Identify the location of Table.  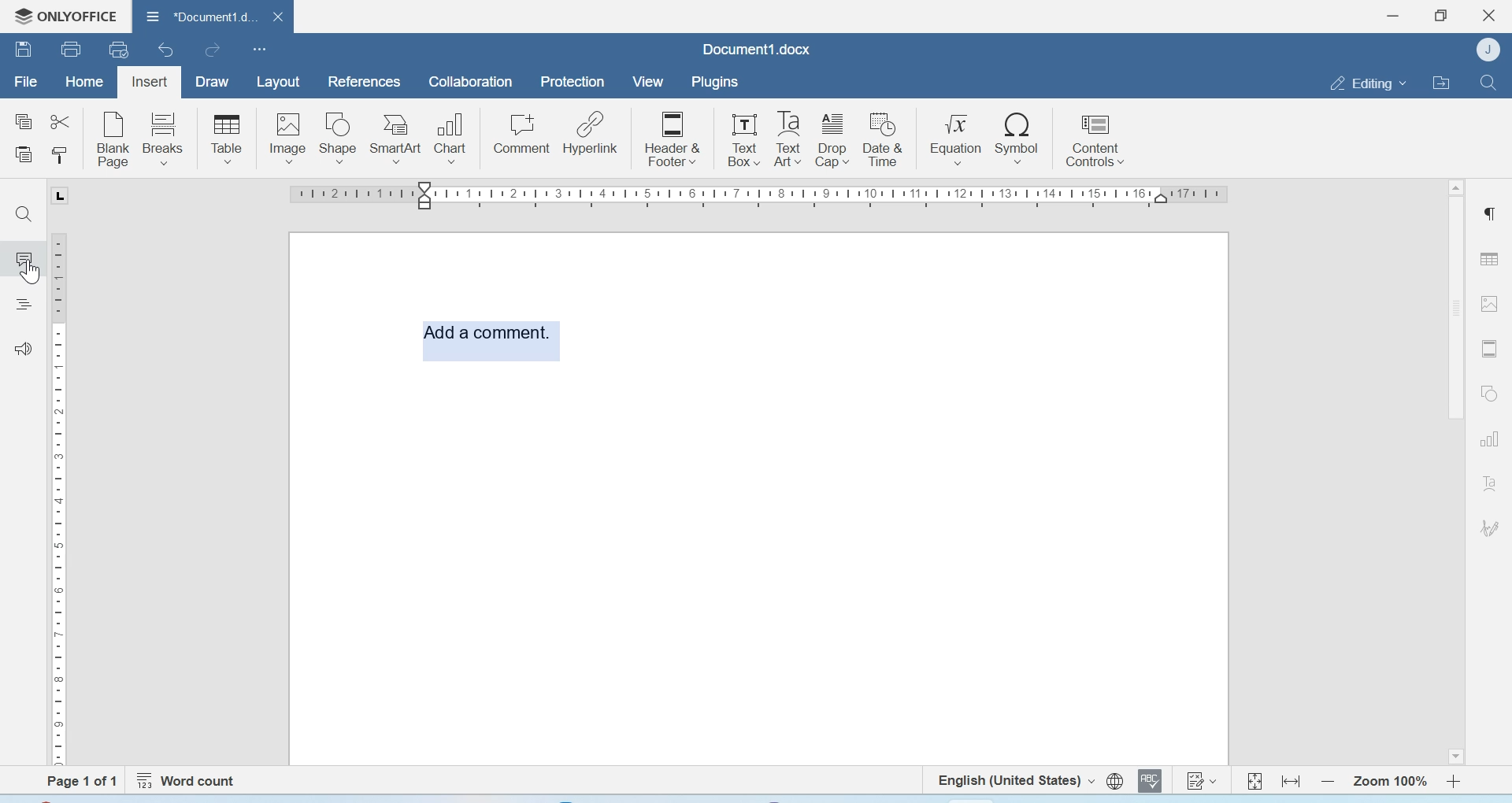
(1489, 258).